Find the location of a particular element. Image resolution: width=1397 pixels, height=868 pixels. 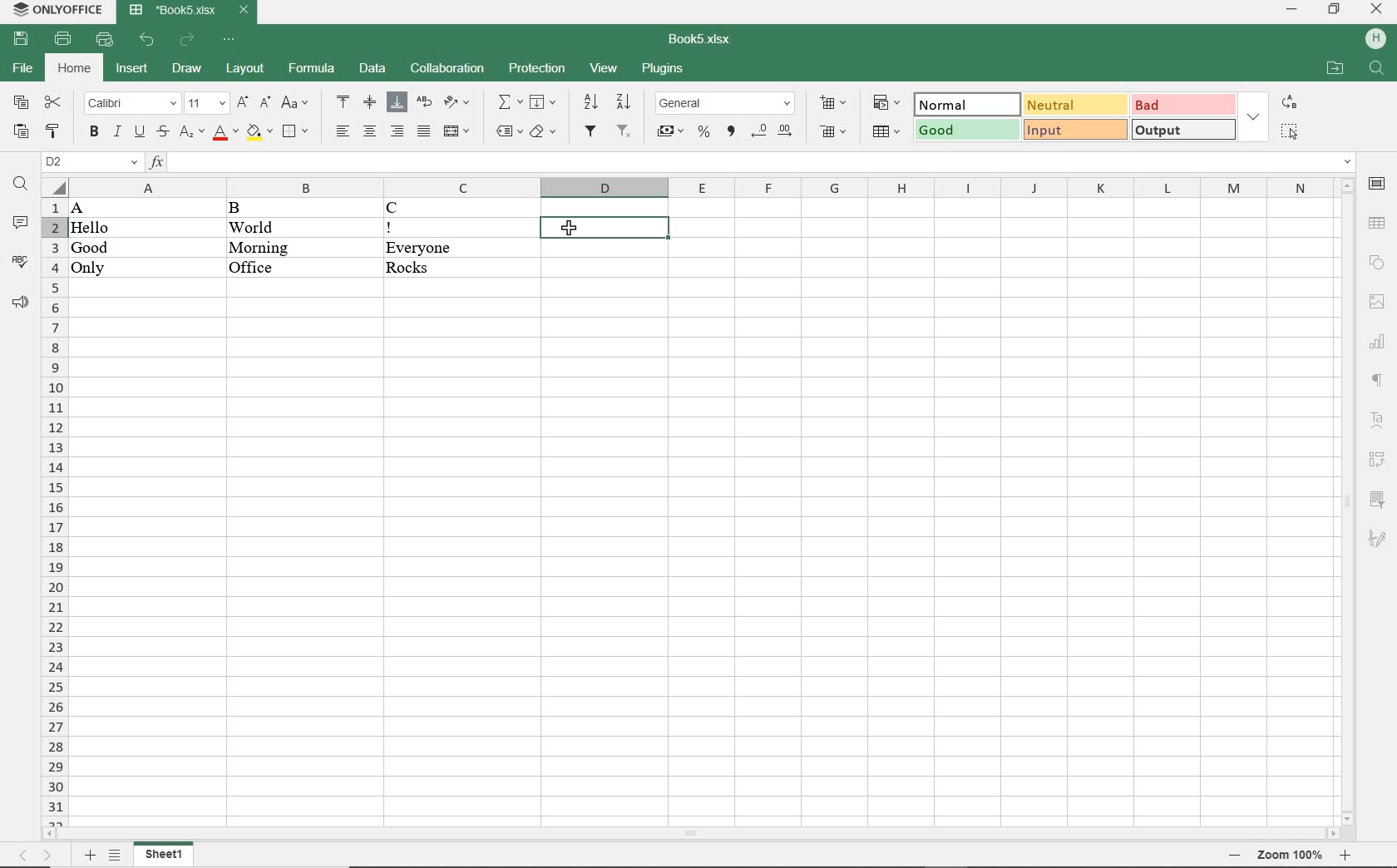

NAMED MANAGER is located at coordinates (91, 162).